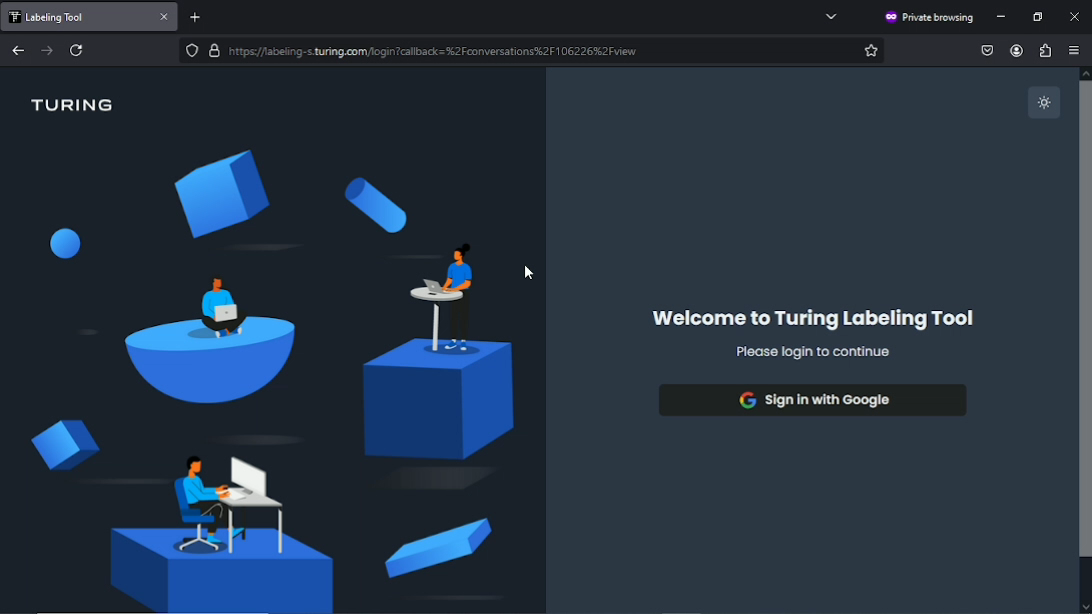 The image size is (1092, 614). I want to click on add tab, so click(204, 16).